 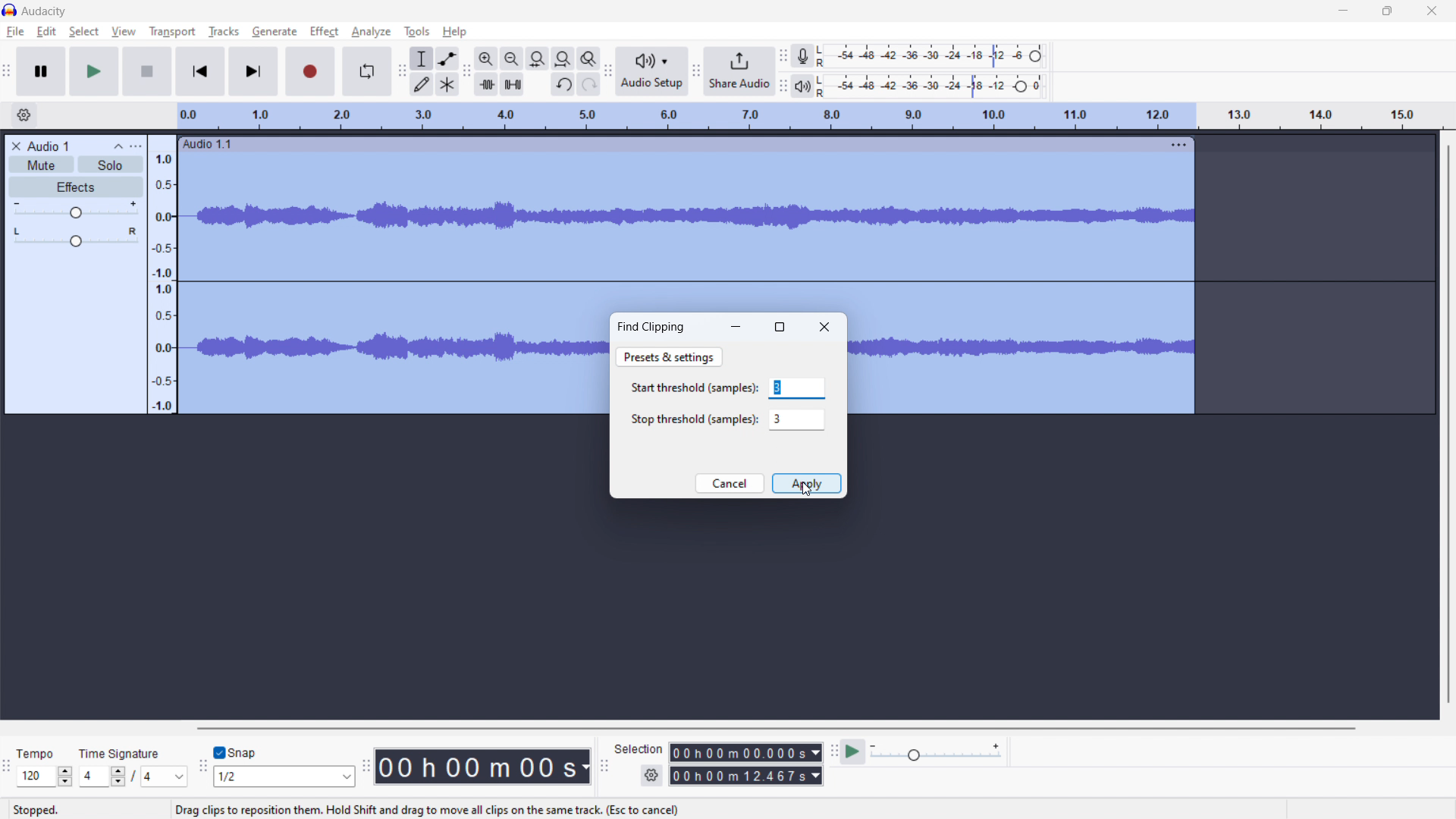 What do you see at coordinates (563, 58) in the screenshot?
I see `fit project to width` at bounding box center [563, 58].